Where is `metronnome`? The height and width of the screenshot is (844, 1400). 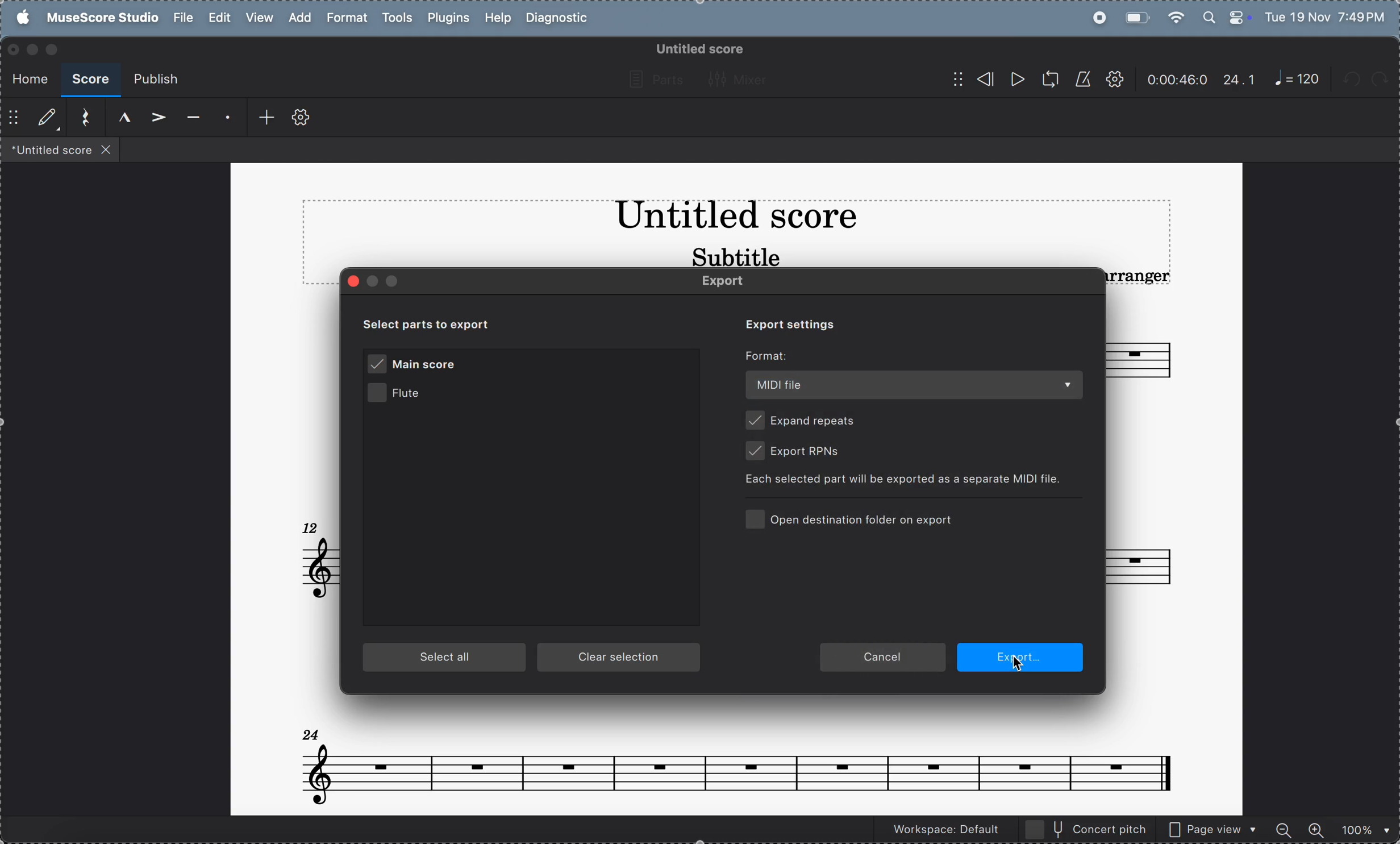
metronnome is located at coordinates (1081, 79).